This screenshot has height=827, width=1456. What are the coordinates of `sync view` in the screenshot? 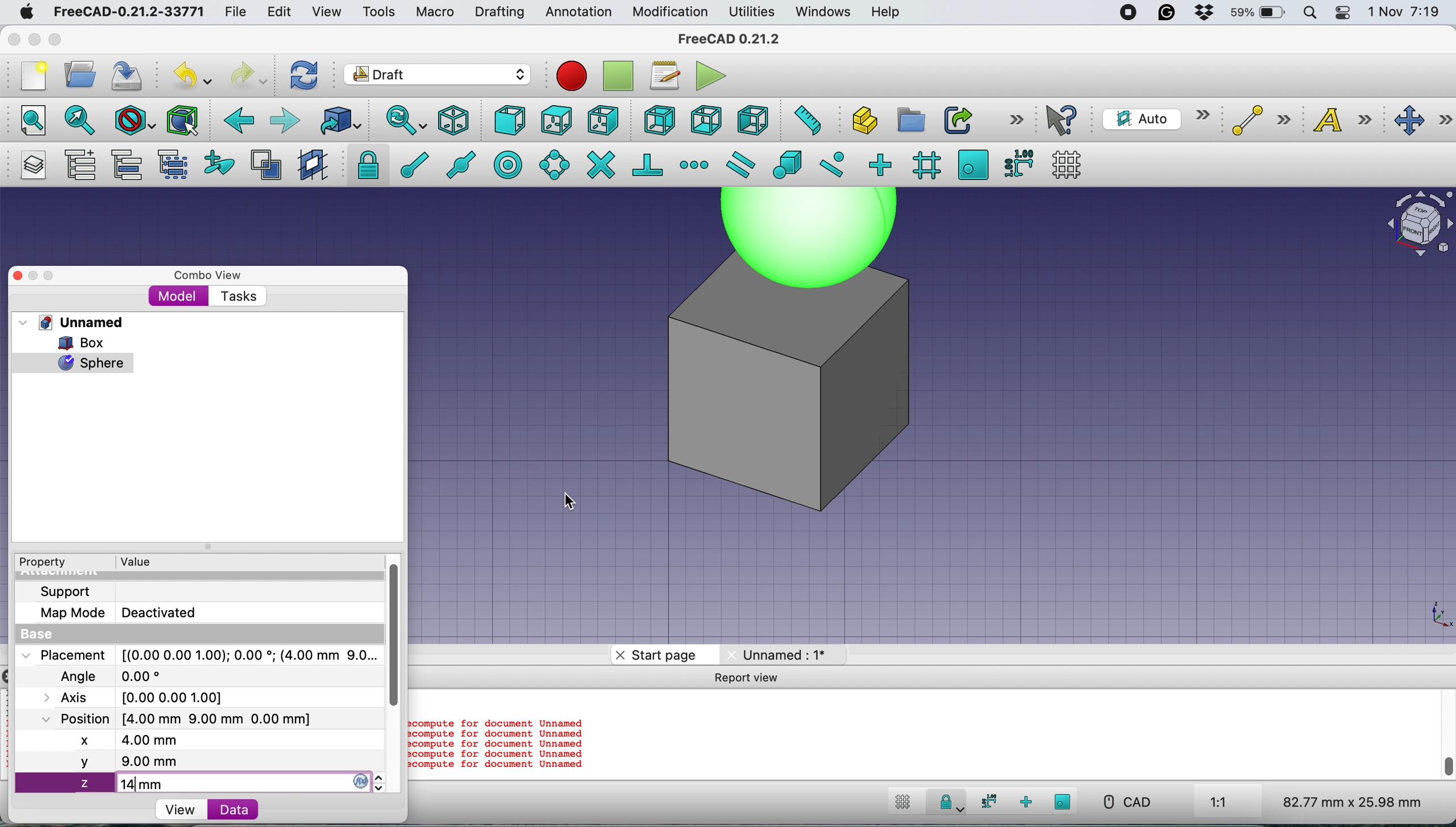 It's located at (399, 122).